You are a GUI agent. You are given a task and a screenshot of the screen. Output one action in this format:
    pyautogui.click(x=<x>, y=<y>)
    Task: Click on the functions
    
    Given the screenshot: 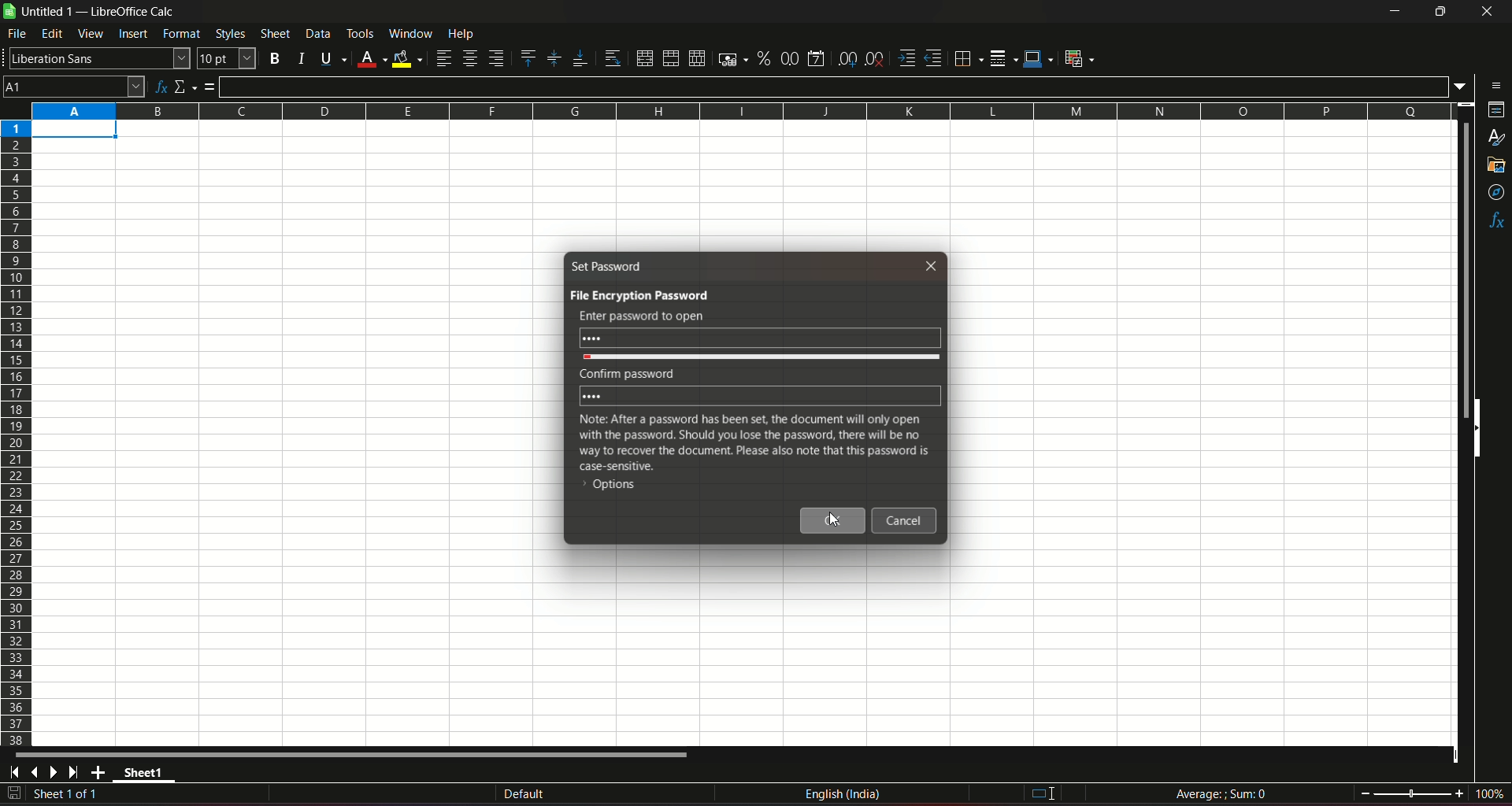 What is the action you would take?
    pyautogui.click(x=1495, y=221)
    